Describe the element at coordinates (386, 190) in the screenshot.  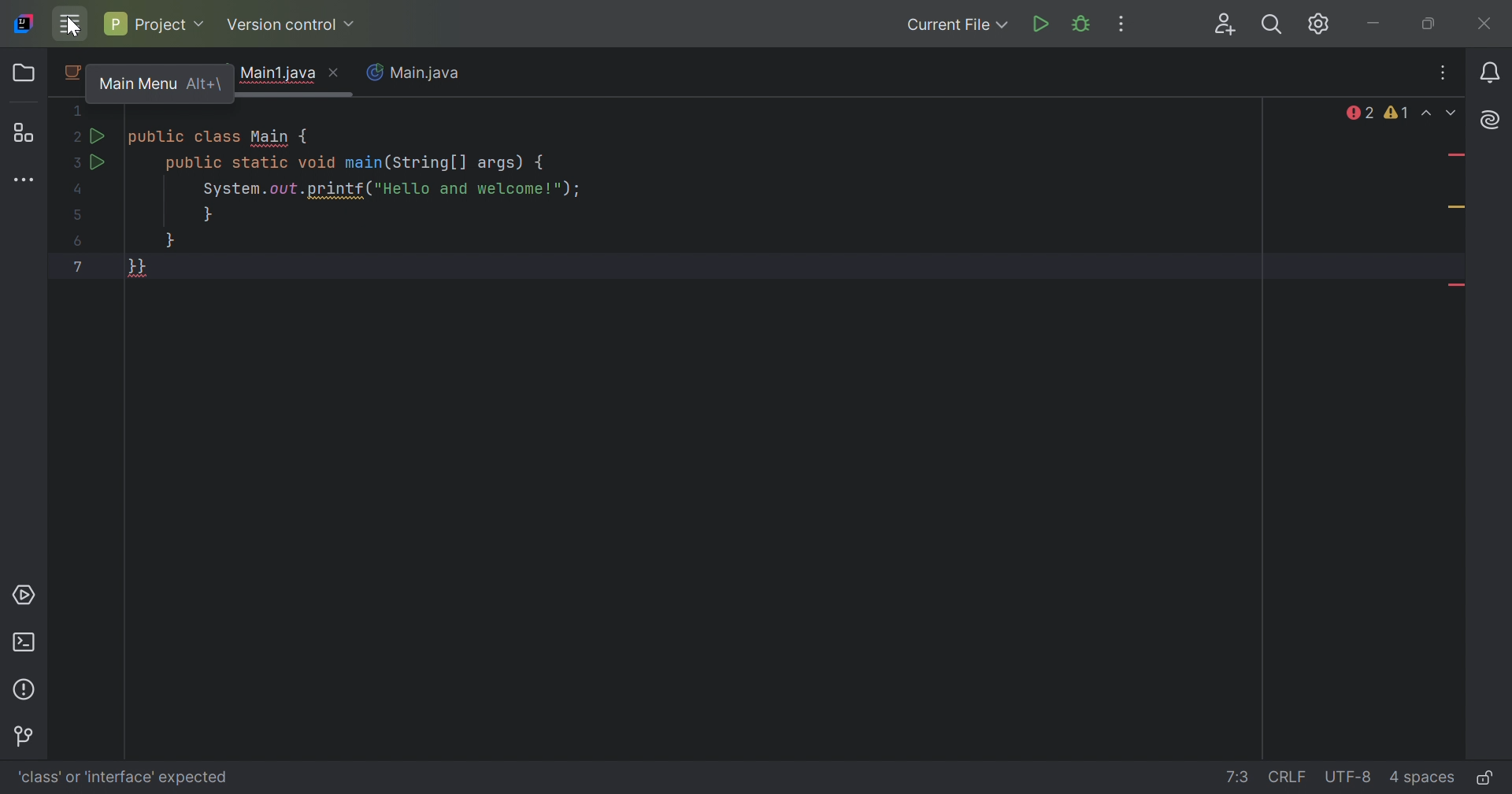
I see `System.out.printf("Hello and welcome!")` at that location.